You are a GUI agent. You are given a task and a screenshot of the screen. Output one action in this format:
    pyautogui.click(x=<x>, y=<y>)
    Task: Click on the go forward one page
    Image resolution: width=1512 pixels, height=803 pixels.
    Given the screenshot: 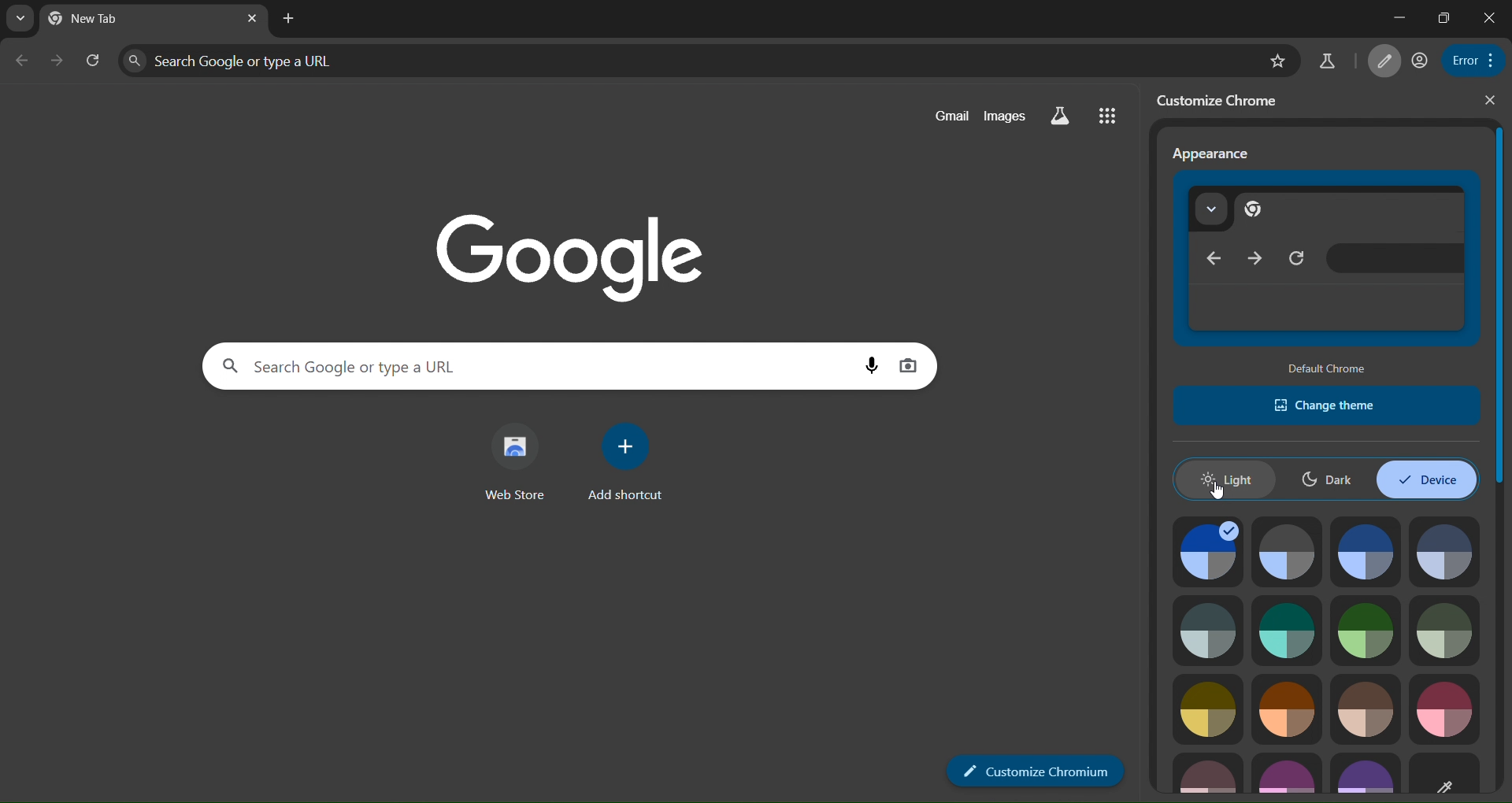 What is the action you would take?
    pyautogui.click(x=60, y=62)
    